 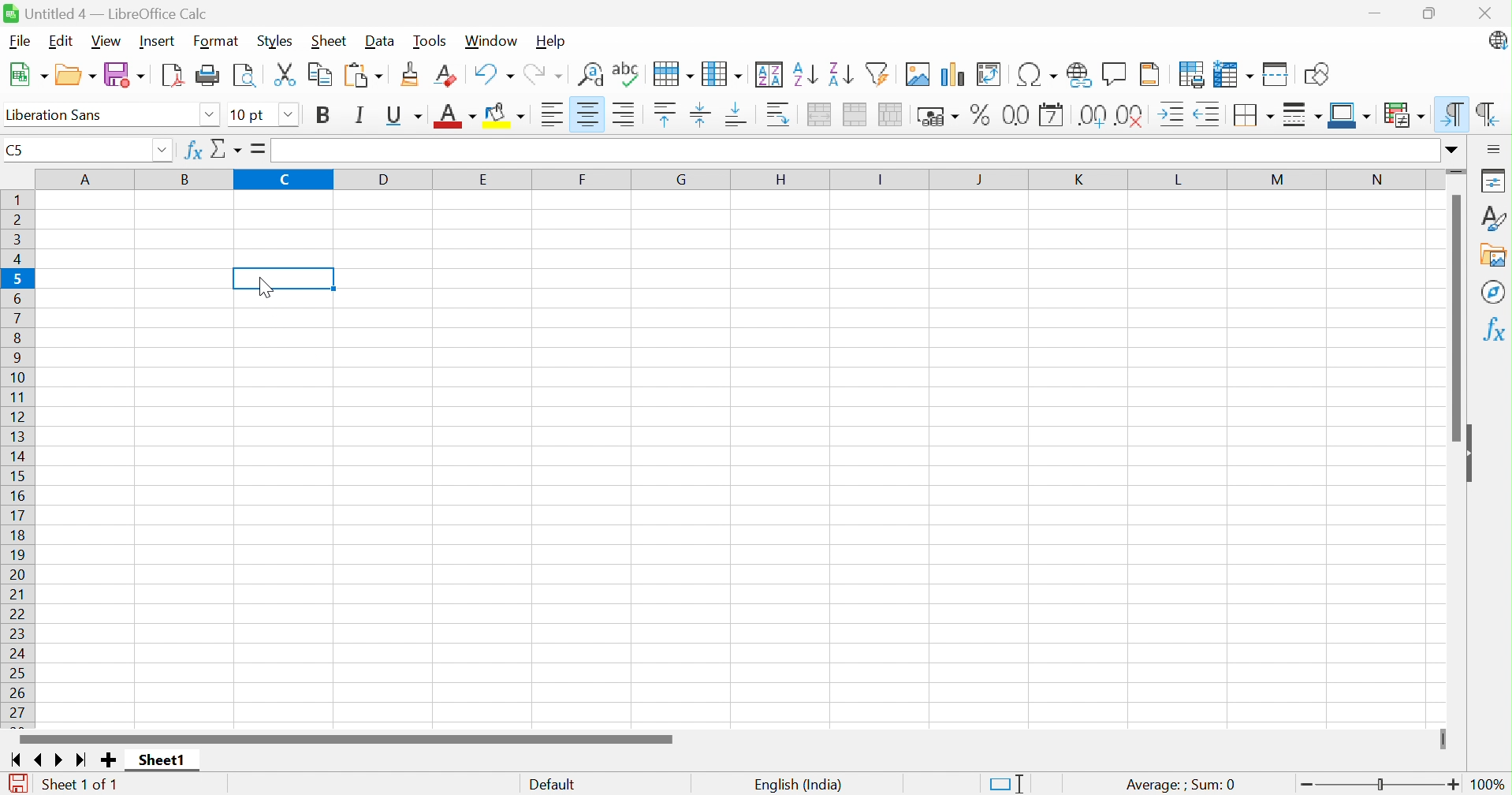 I want to click on Center Vertically, so click(x=702, y=114).